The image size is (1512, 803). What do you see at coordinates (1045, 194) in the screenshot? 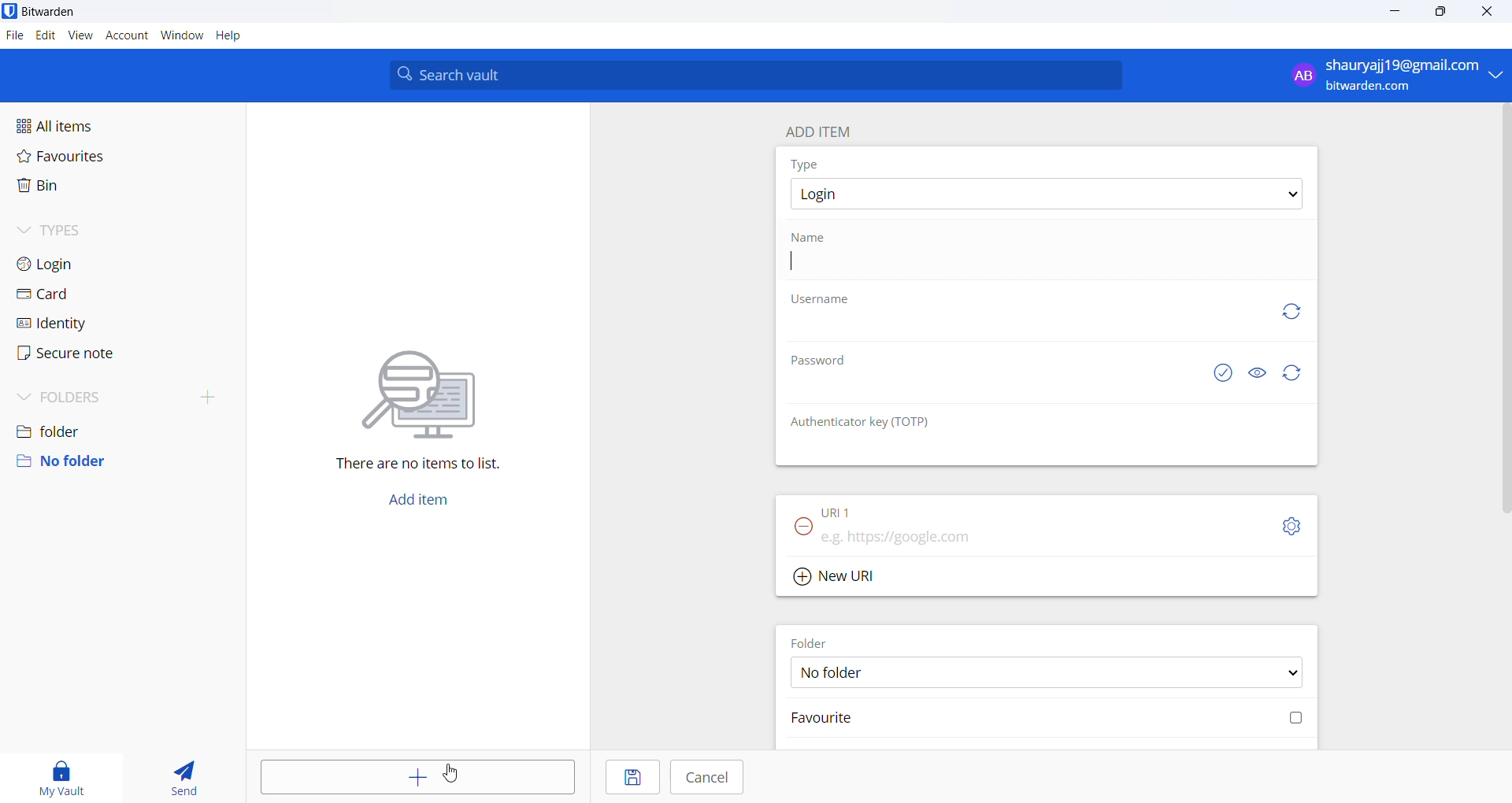
I see `type options` at bounding box center [1045, 194].